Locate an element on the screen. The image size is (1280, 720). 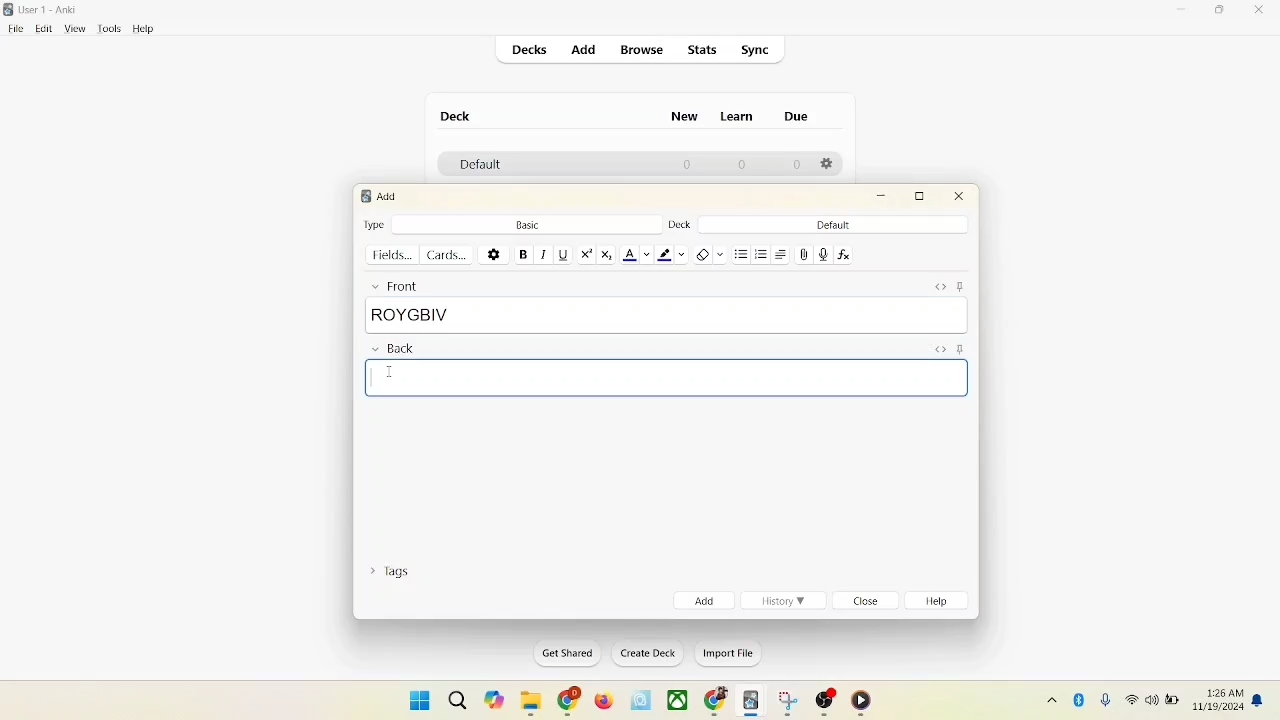
alignment is located at coordinates (783, 254).